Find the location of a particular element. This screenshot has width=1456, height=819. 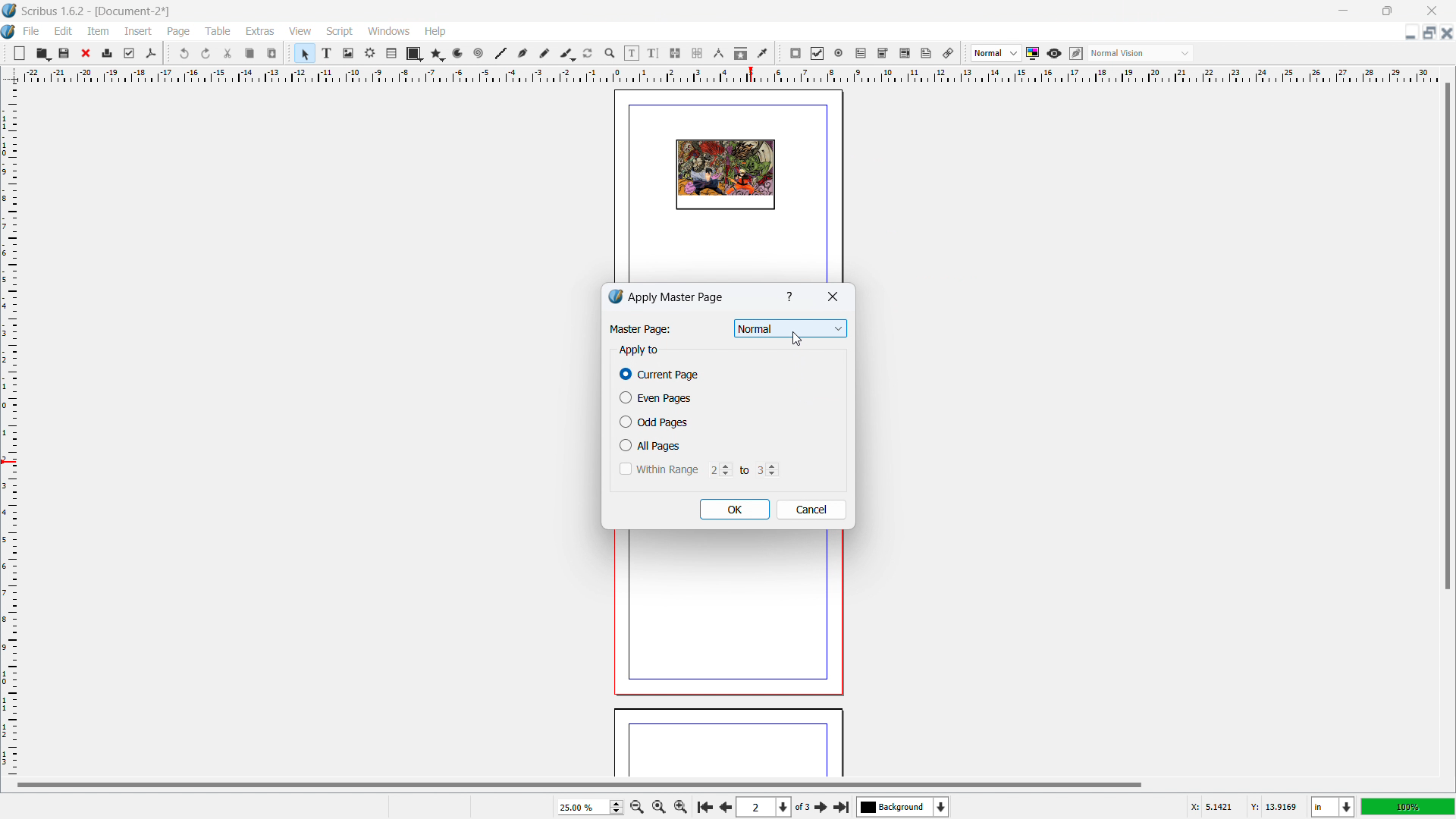

new is located at coordinates (20, 53).